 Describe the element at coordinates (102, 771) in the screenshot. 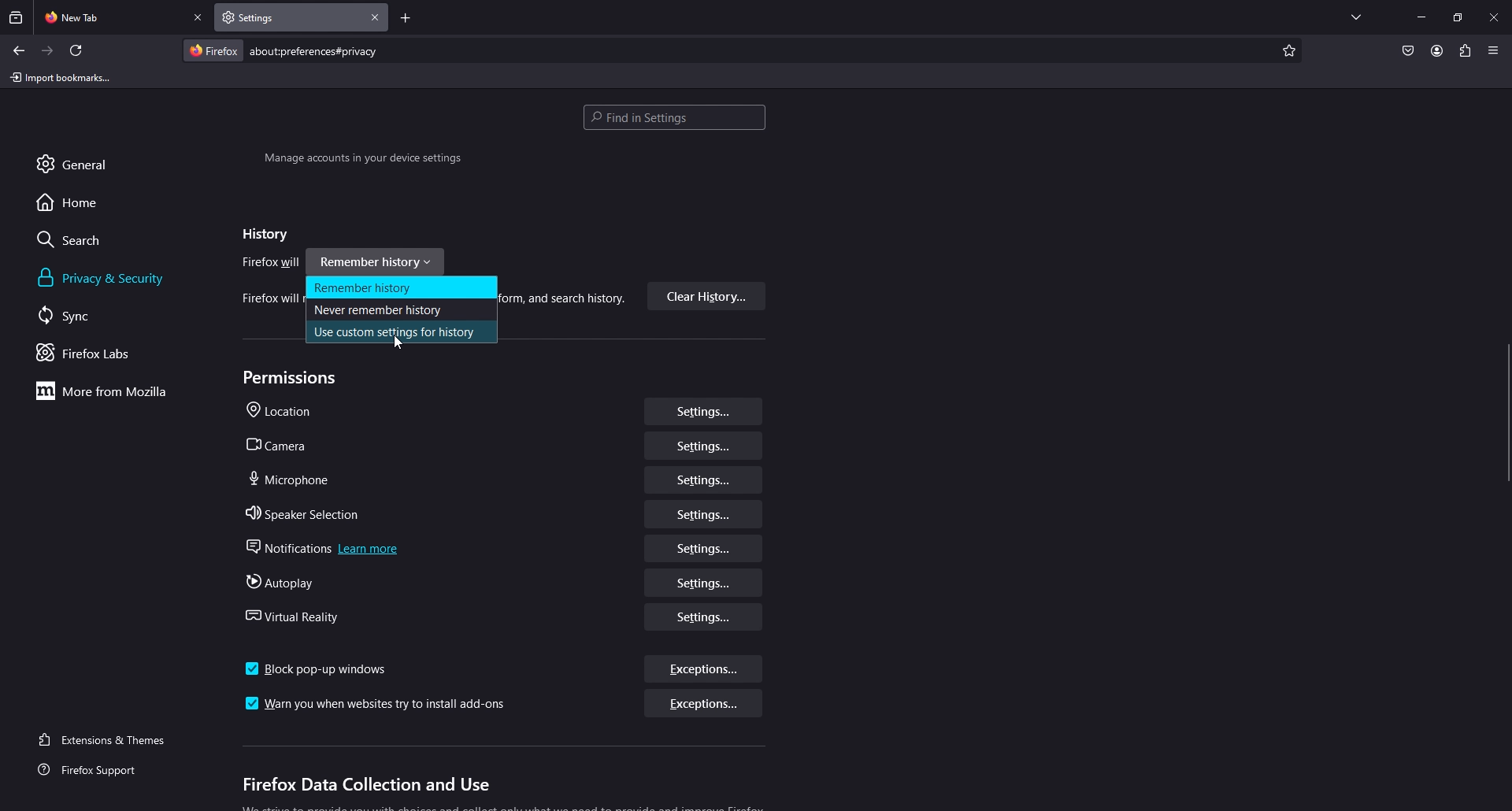

I see `firefox support` at that location.